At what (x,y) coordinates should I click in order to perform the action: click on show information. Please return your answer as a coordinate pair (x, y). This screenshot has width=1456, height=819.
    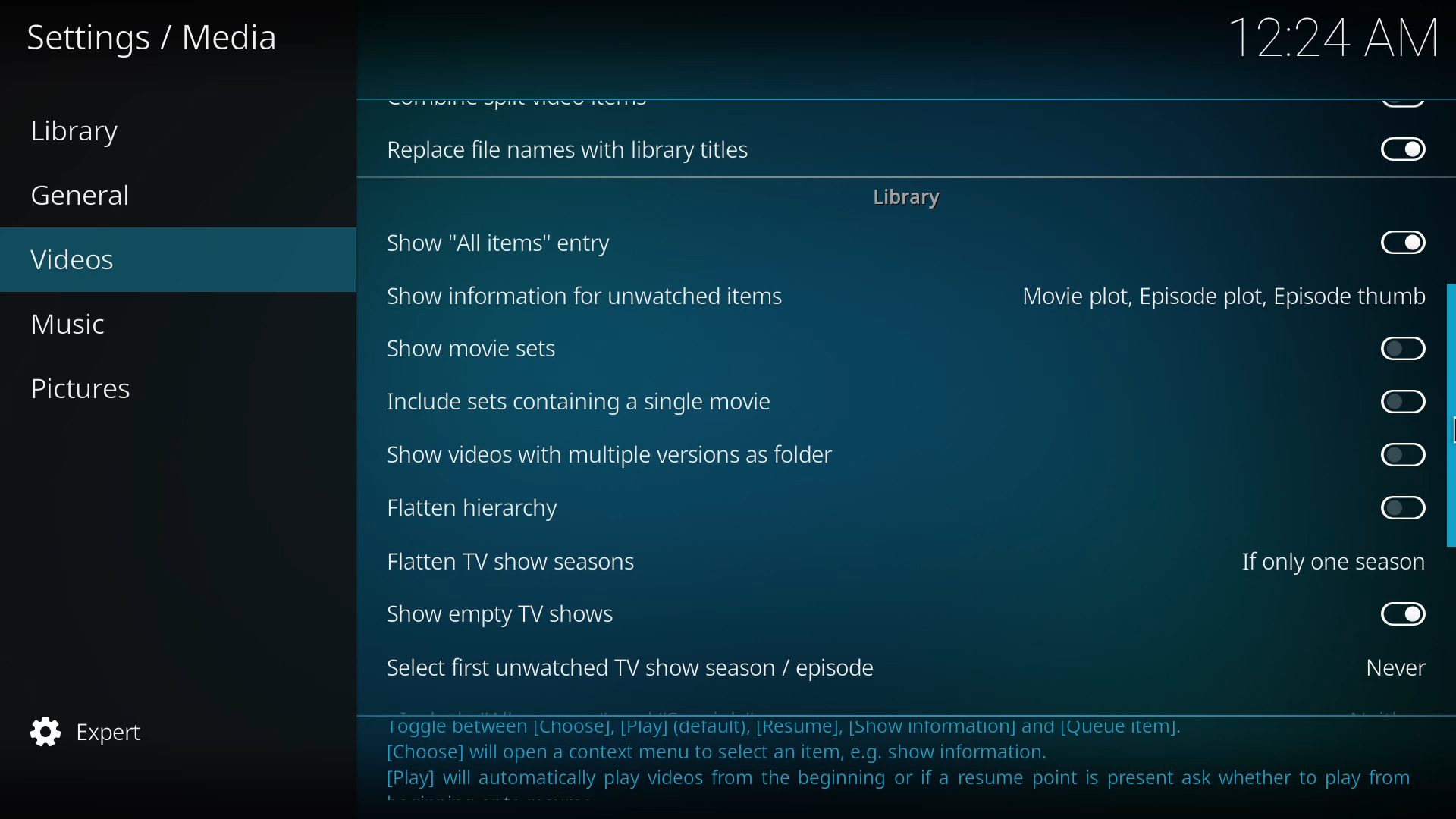
    Looking at the image, I should click on (579, 298).